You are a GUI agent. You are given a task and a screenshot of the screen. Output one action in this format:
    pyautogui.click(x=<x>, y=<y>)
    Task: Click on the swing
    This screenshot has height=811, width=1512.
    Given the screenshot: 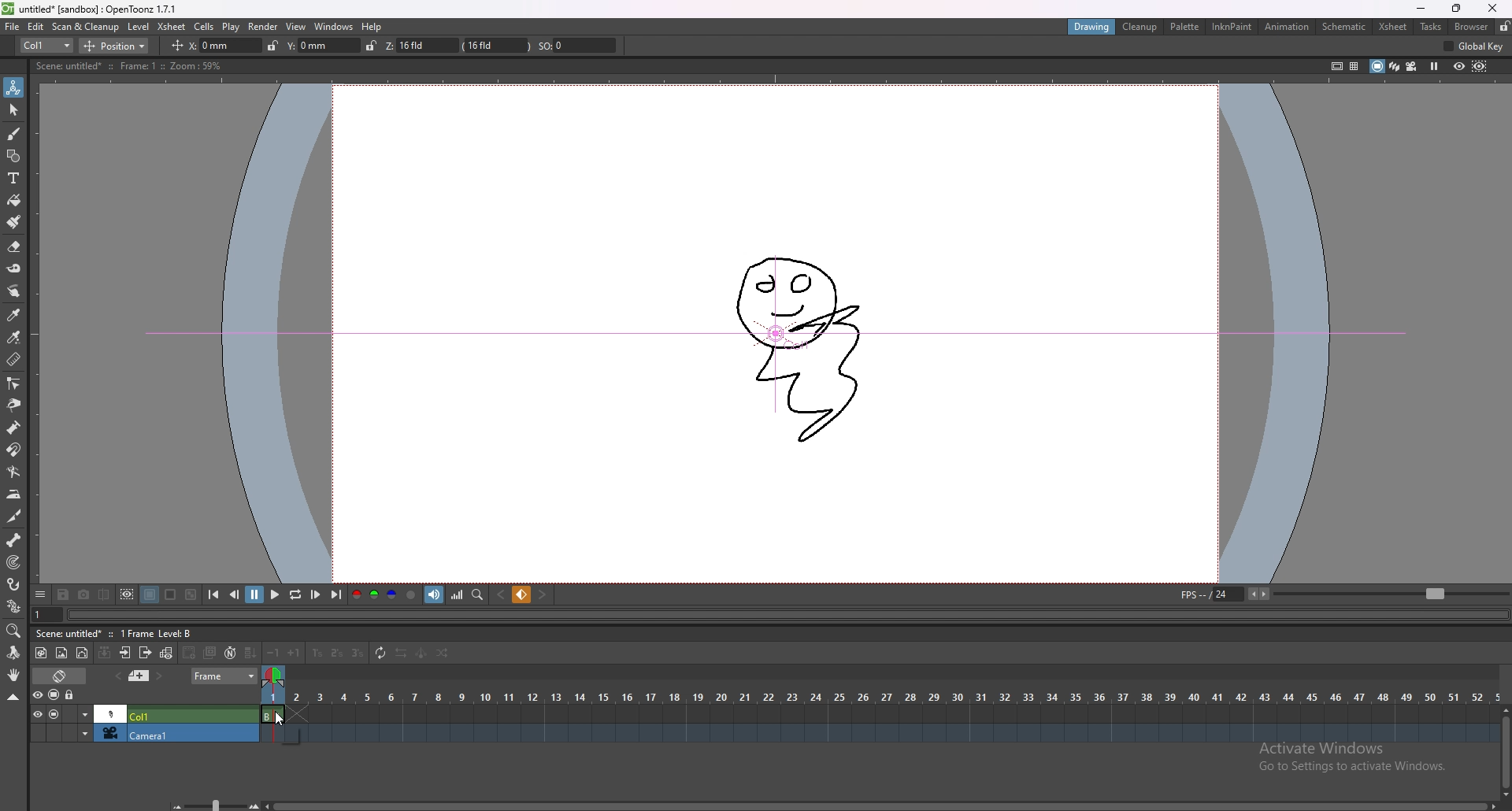 What is the action you would take?
    pyautogui.click(x=421, y=654)
    